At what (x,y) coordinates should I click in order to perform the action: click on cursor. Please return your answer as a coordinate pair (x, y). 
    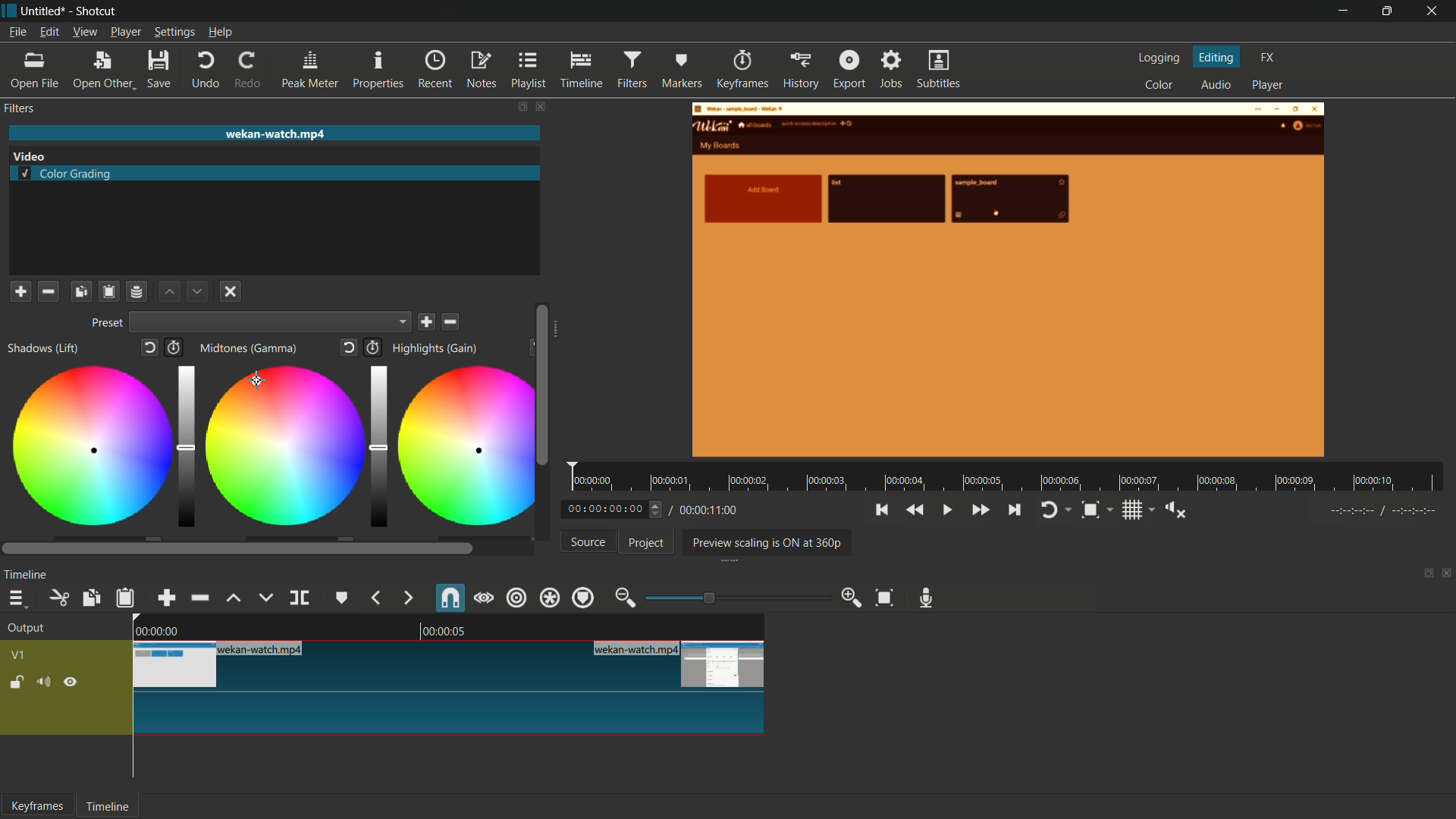
    Looking at the image, I should click on (258, 378).